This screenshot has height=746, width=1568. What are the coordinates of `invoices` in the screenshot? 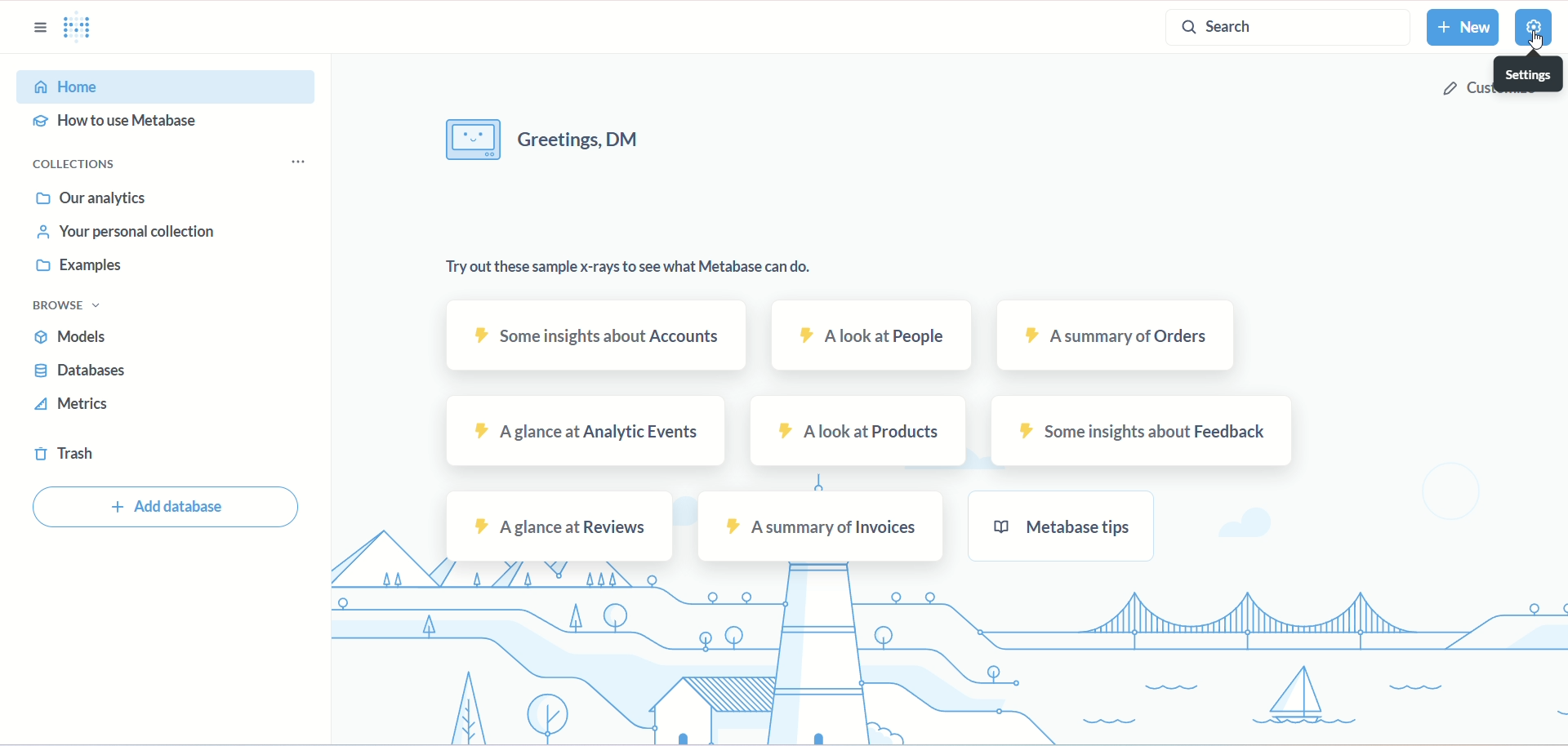 It's located at (822, 527).